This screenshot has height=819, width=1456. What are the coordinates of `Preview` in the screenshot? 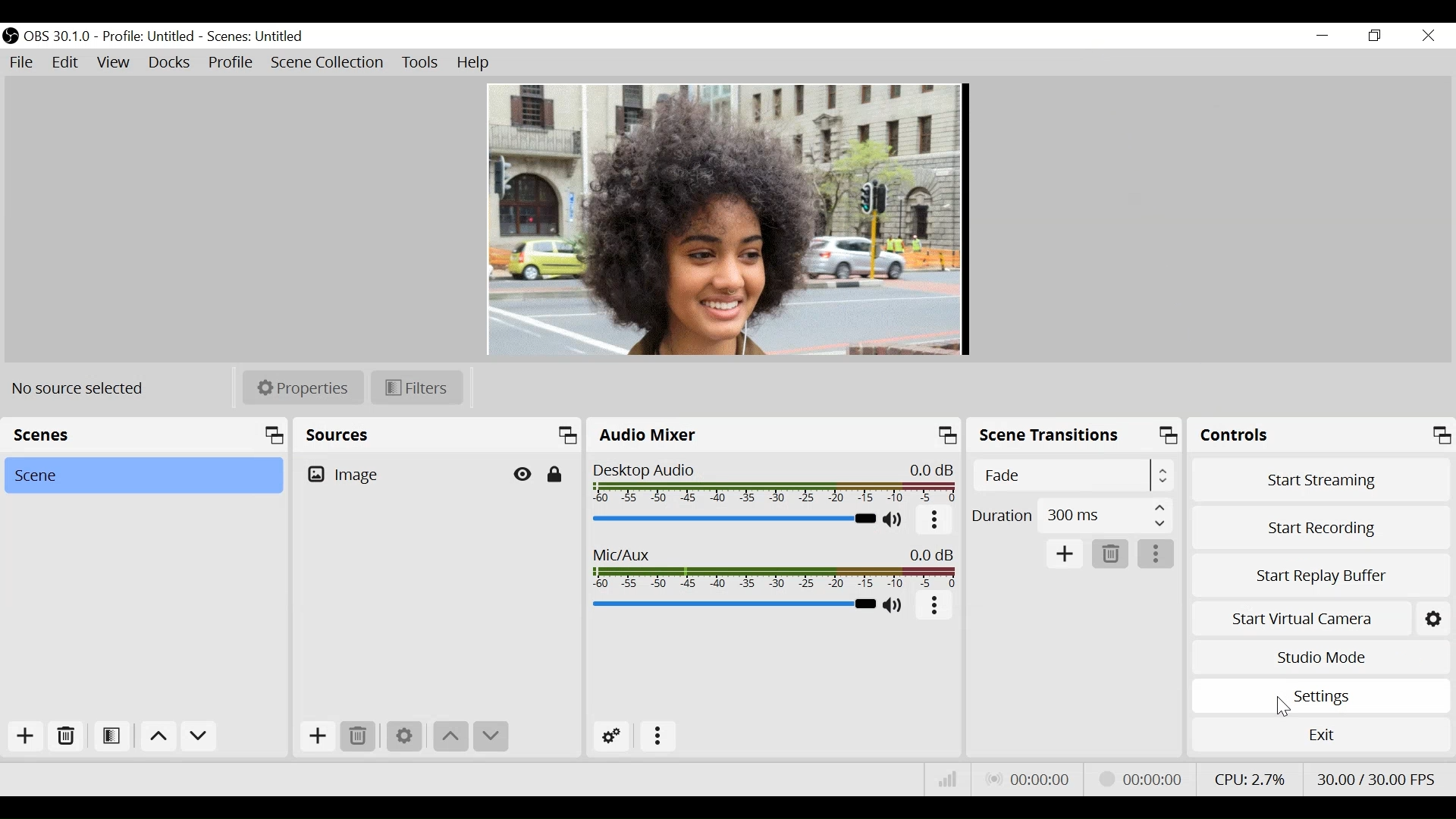 It's located at (725, 218).